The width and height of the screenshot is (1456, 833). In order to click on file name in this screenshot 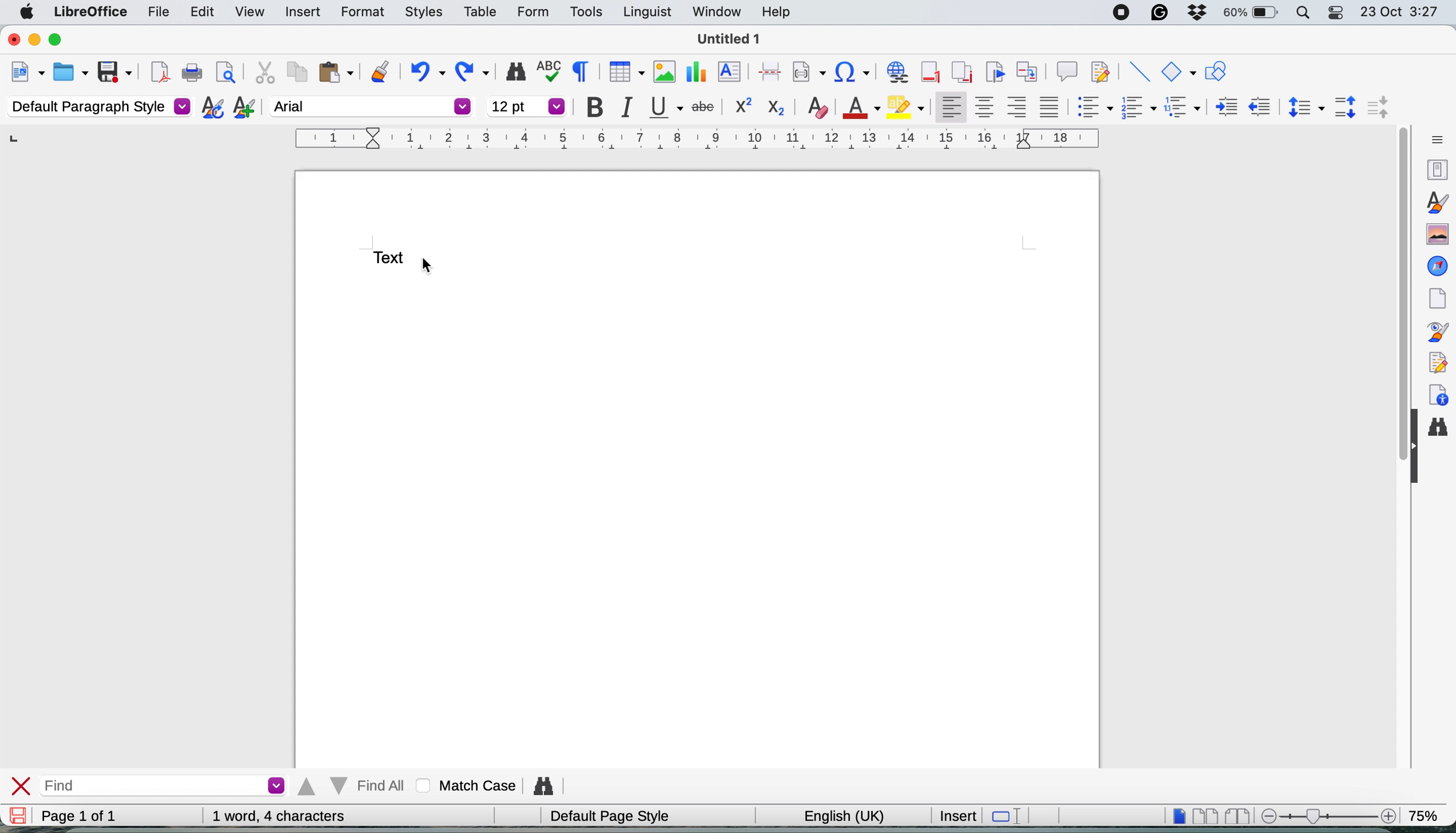, I will do `click(730, 39)`.